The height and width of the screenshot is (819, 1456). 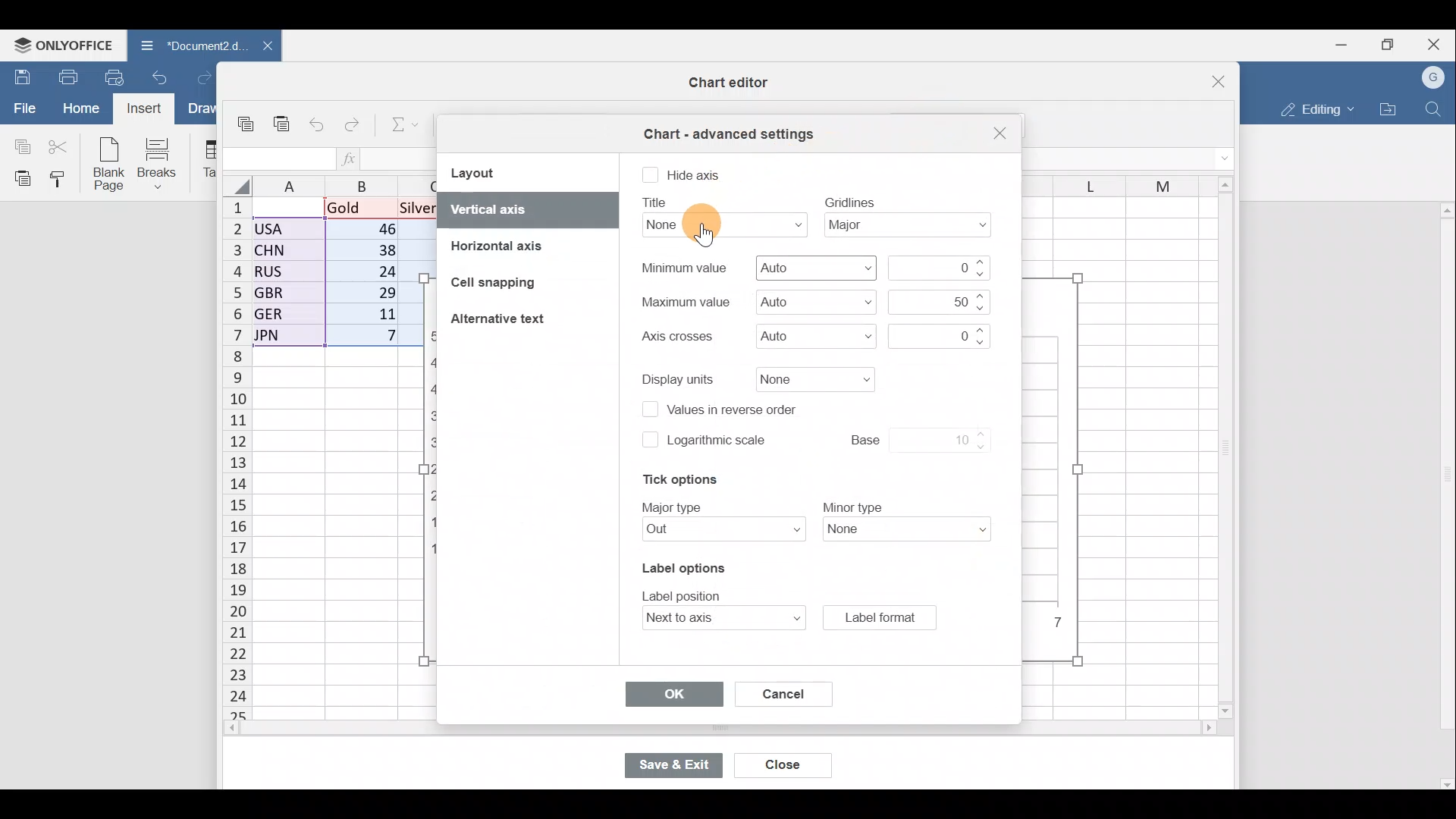 I want to click on Values in reverse order, so click(x=737, y=408).